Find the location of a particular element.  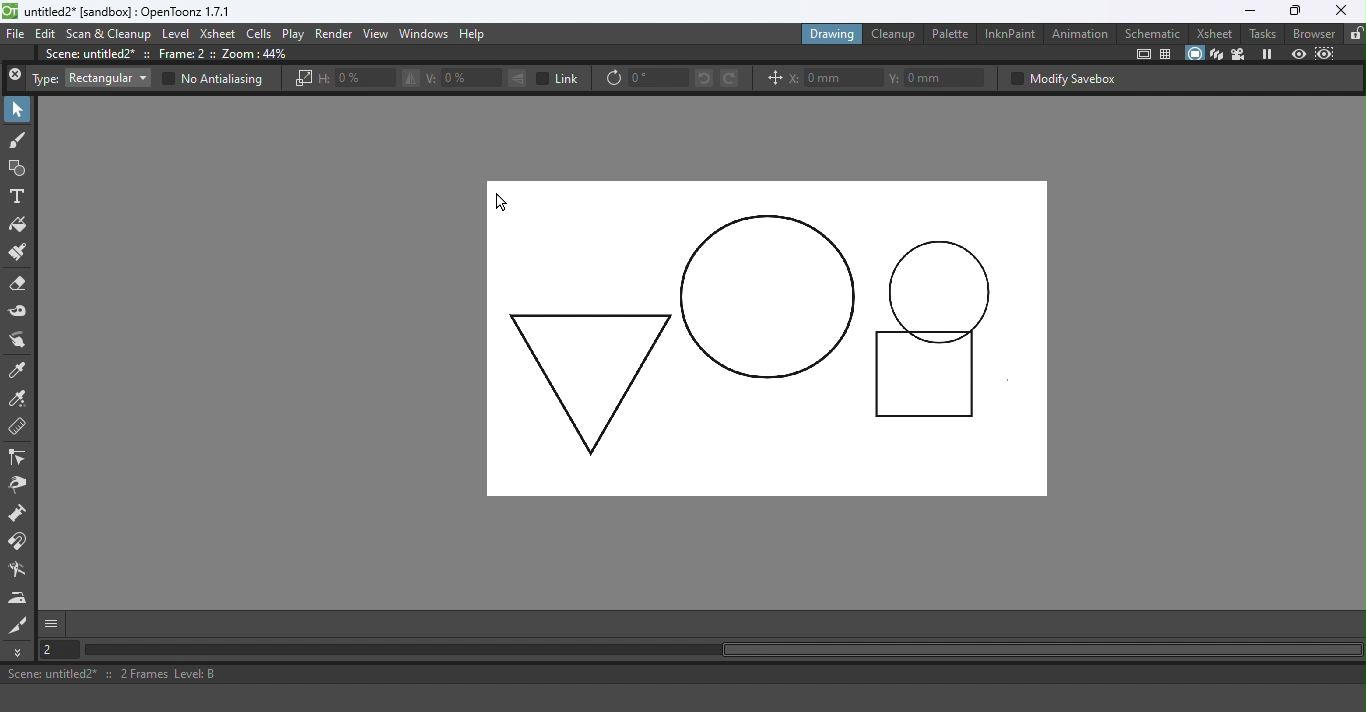

Flip selection vertically is located at coordinates (518, 78).